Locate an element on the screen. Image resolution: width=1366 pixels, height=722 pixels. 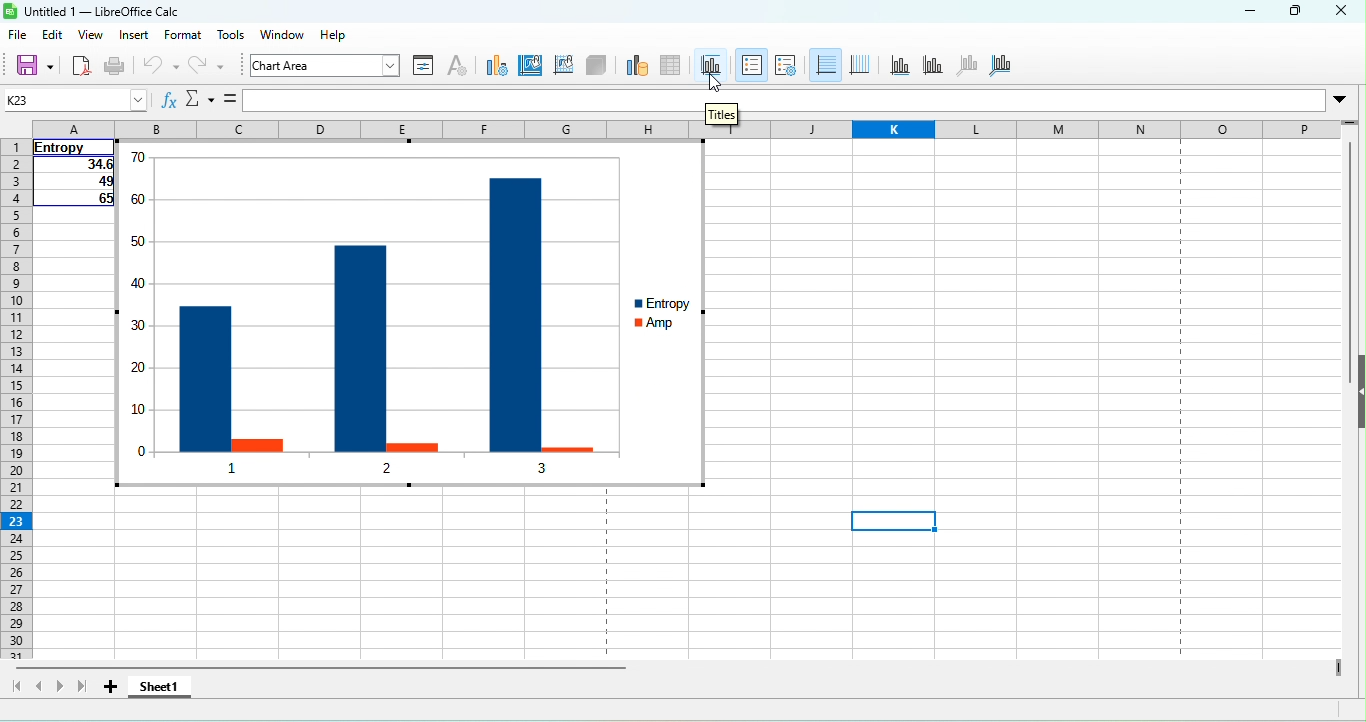
rows is located at coordinates (14, 401).